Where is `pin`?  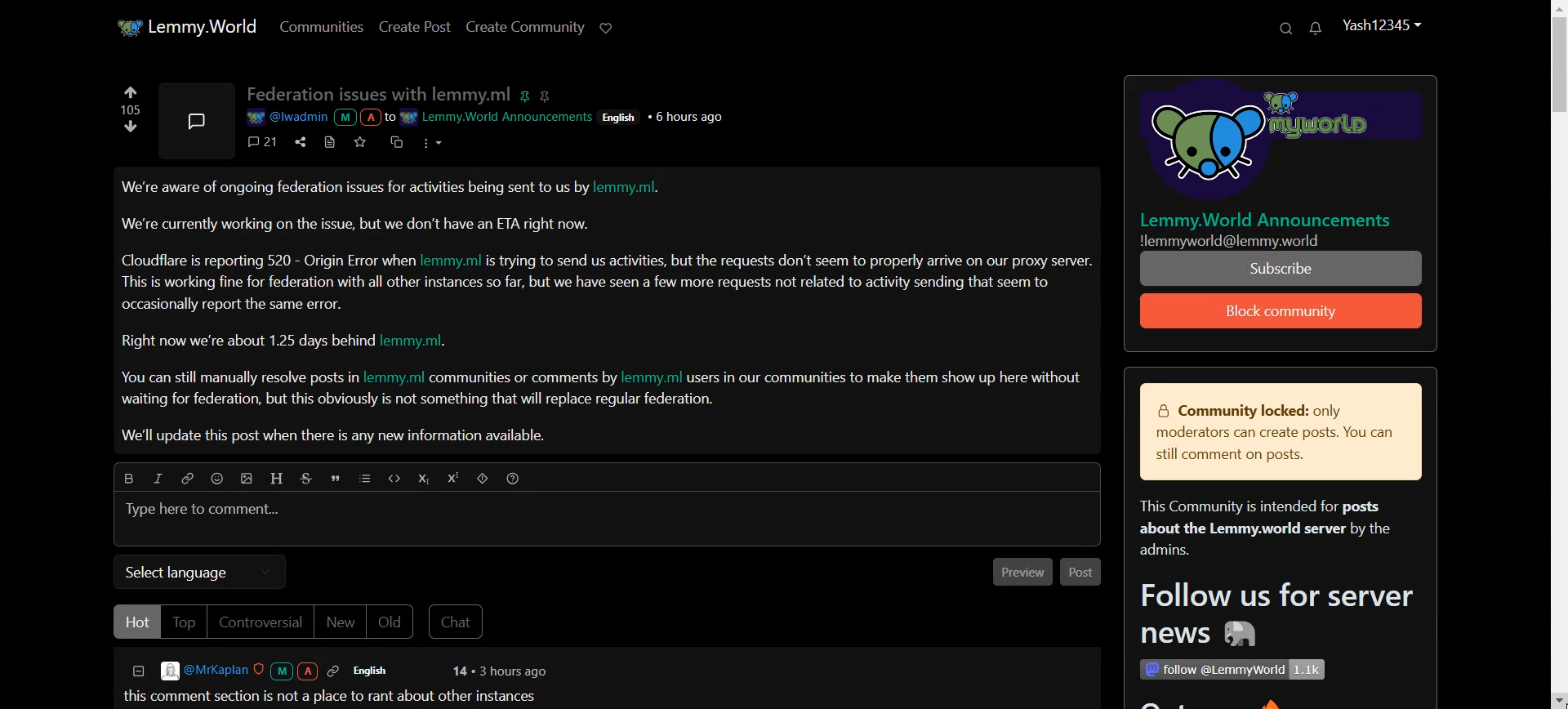 pin is located at coordinates (527, 97).